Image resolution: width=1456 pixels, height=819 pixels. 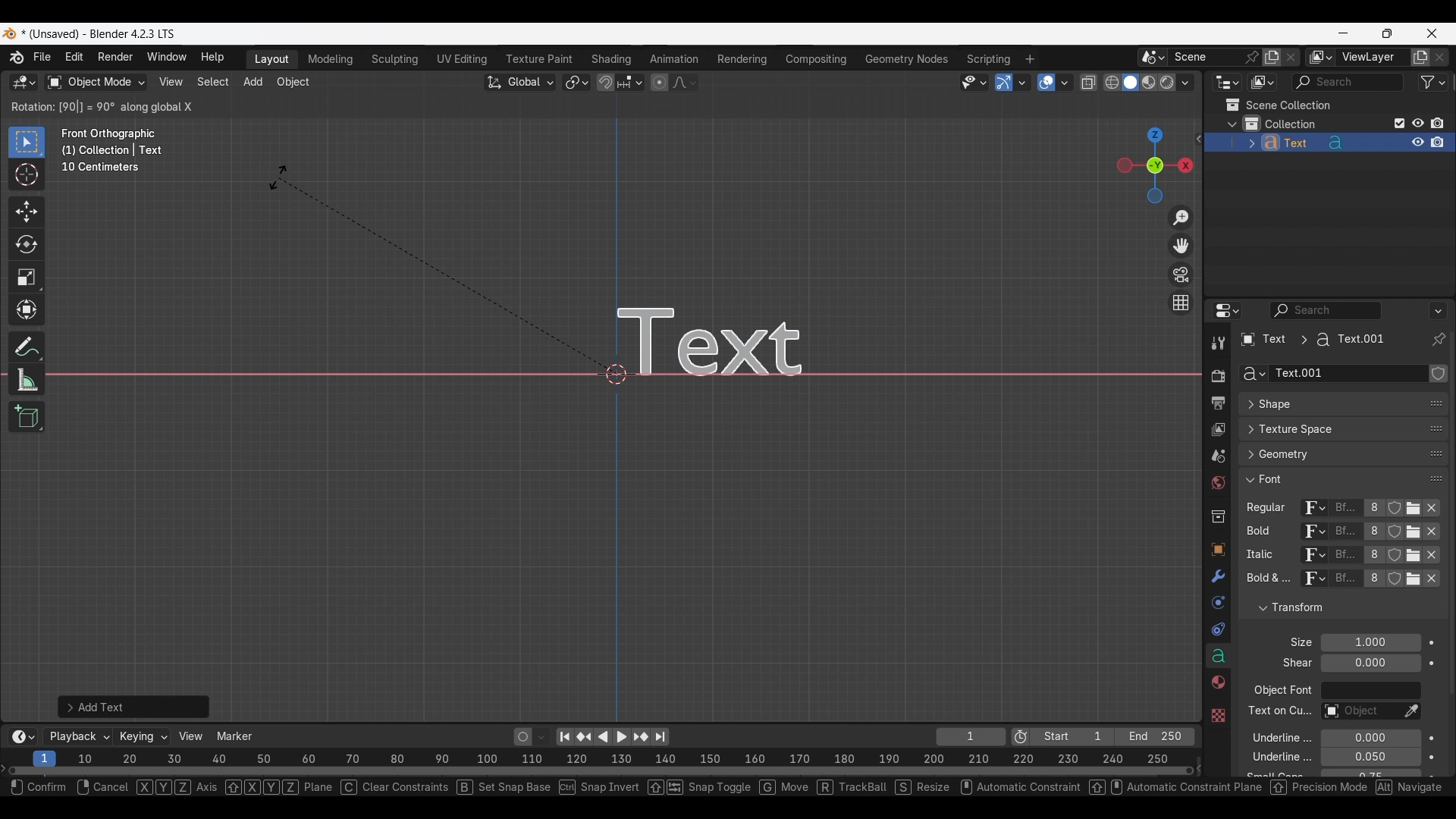 What do you see at coordinates (27, 244) in the screenshot?
I see `Rotate` at bounding box center [27, 244].